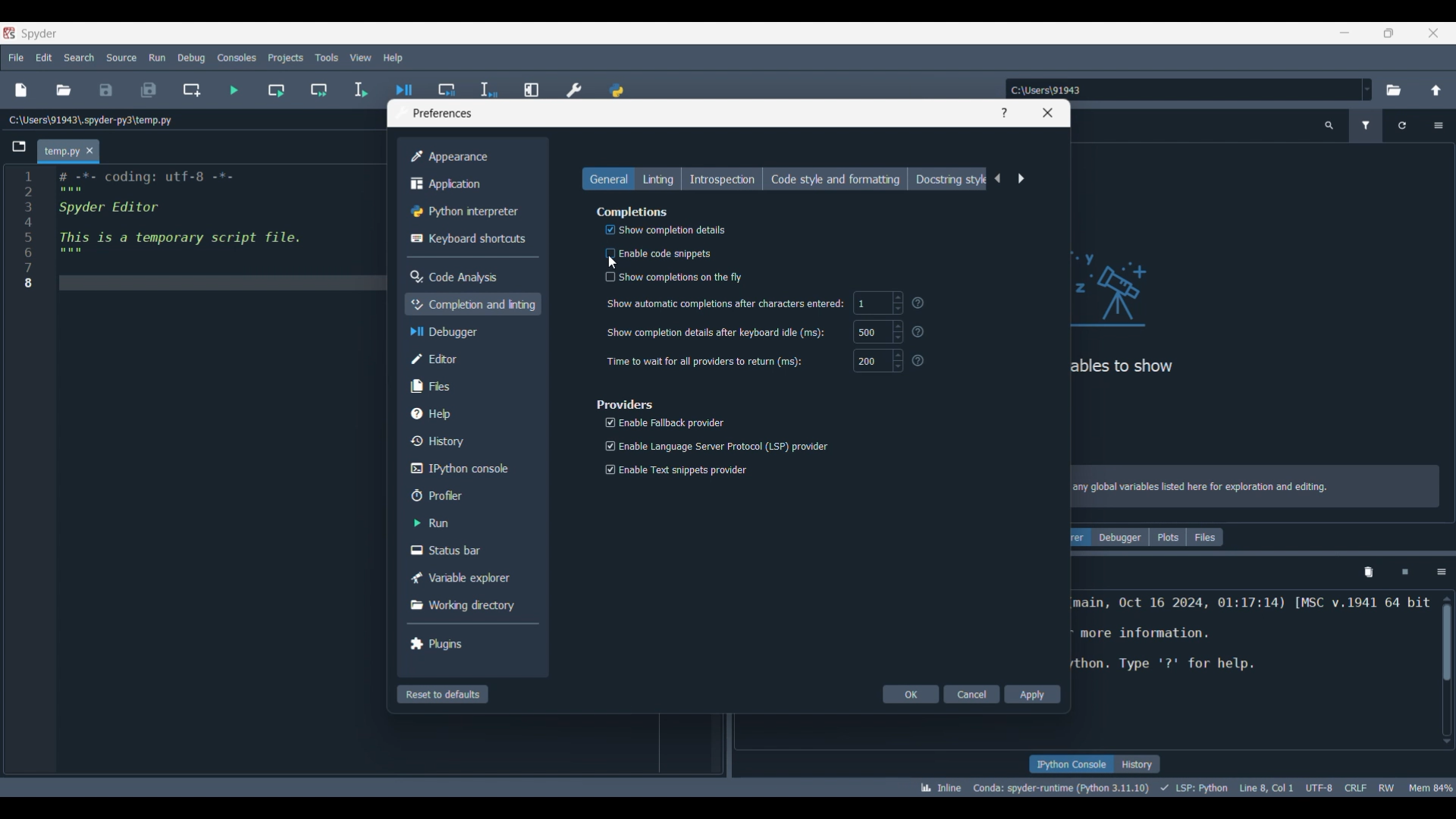 This screenshot has height=819, width=1456. What do you see at coordinates (877, 361) in the screenshot?
I see `200` at bounding box center [877, 361].